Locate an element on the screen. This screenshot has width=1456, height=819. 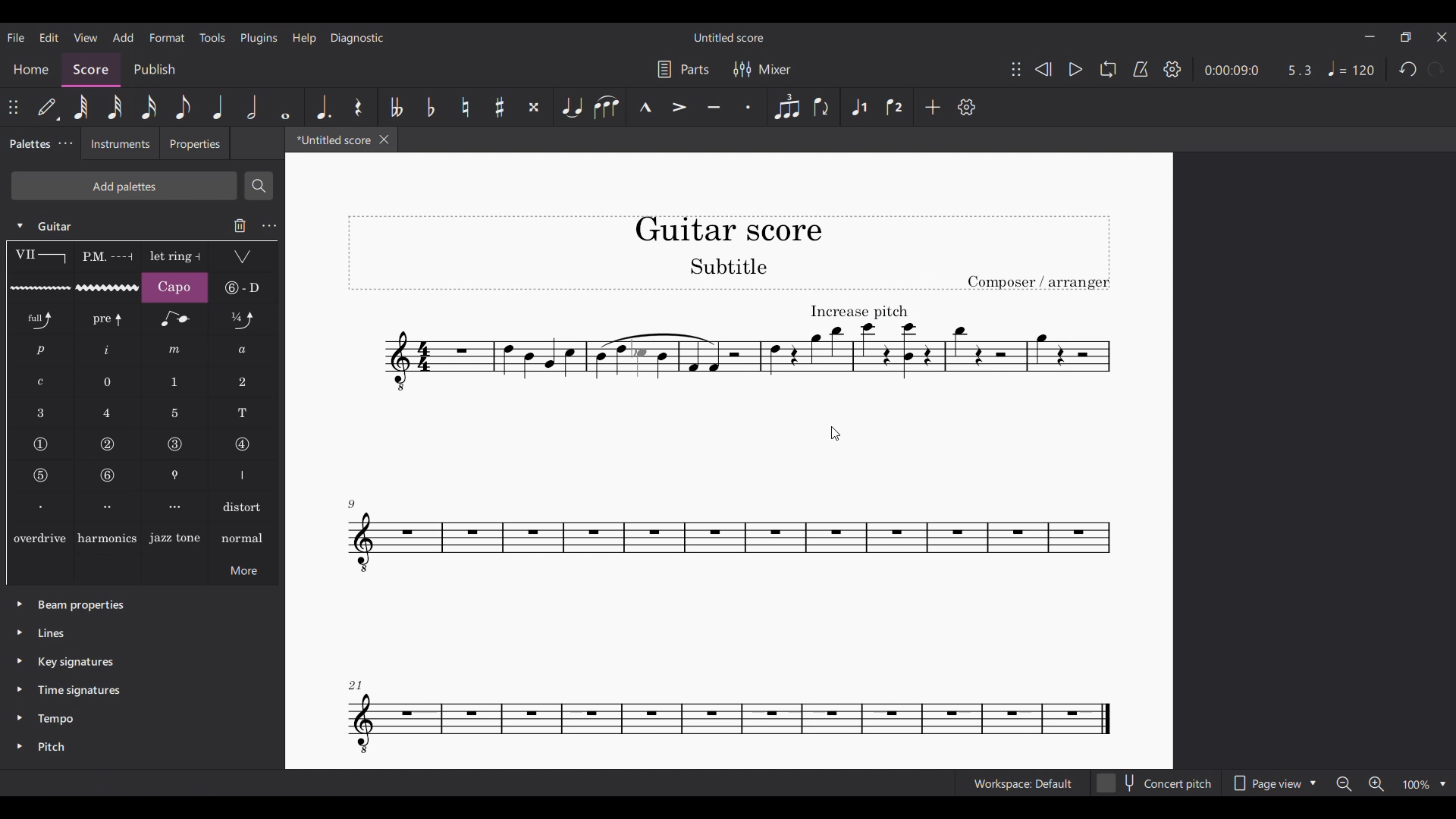
Loop playback is located at coordinates (1108, 69).